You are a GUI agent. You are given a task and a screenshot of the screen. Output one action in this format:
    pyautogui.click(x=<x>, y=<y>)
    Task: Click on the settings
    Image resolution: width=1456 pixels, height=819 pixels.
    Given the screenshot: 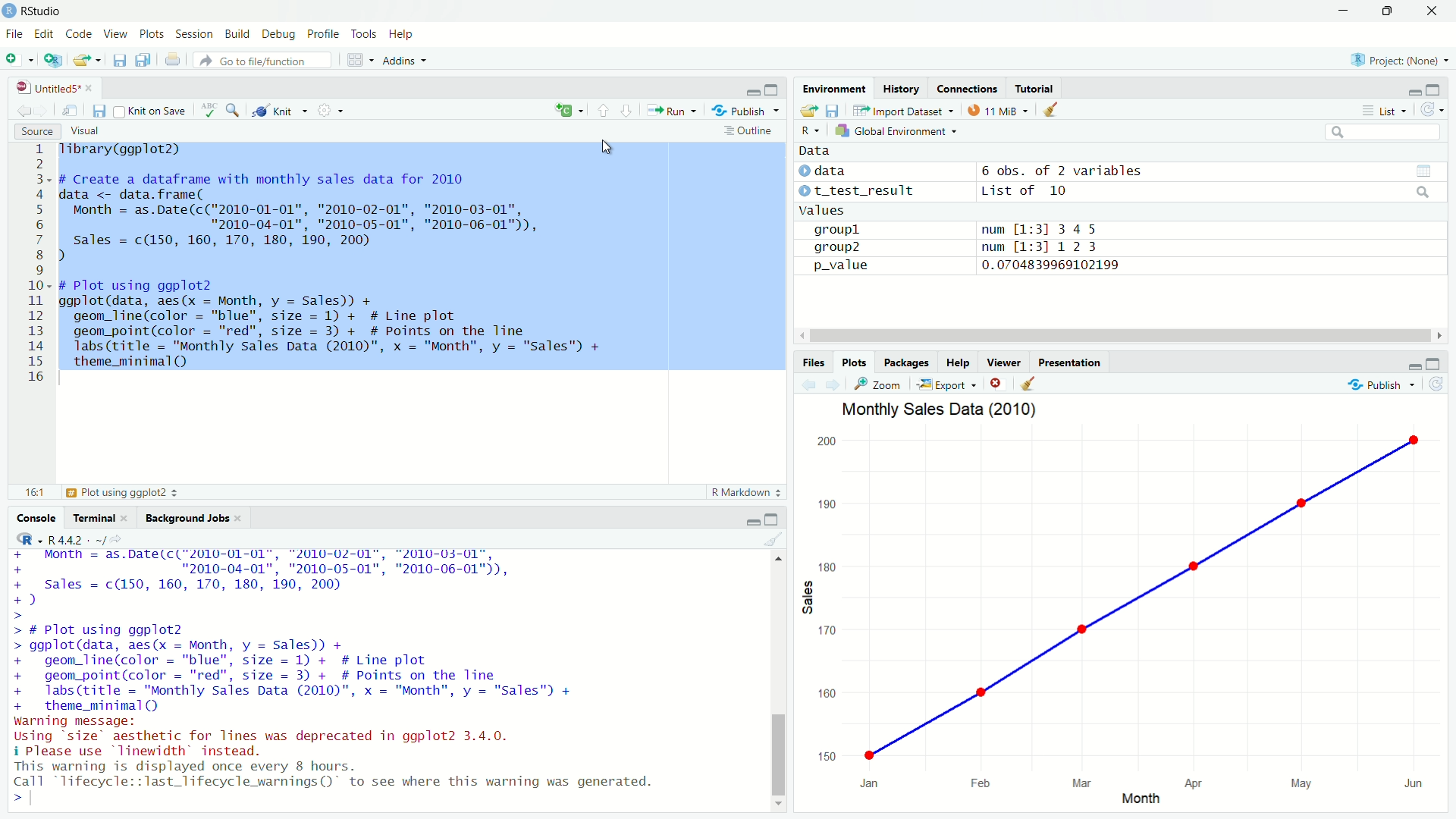 What is the action you would take?
    pyautogui.click(x=331, y=111)
    